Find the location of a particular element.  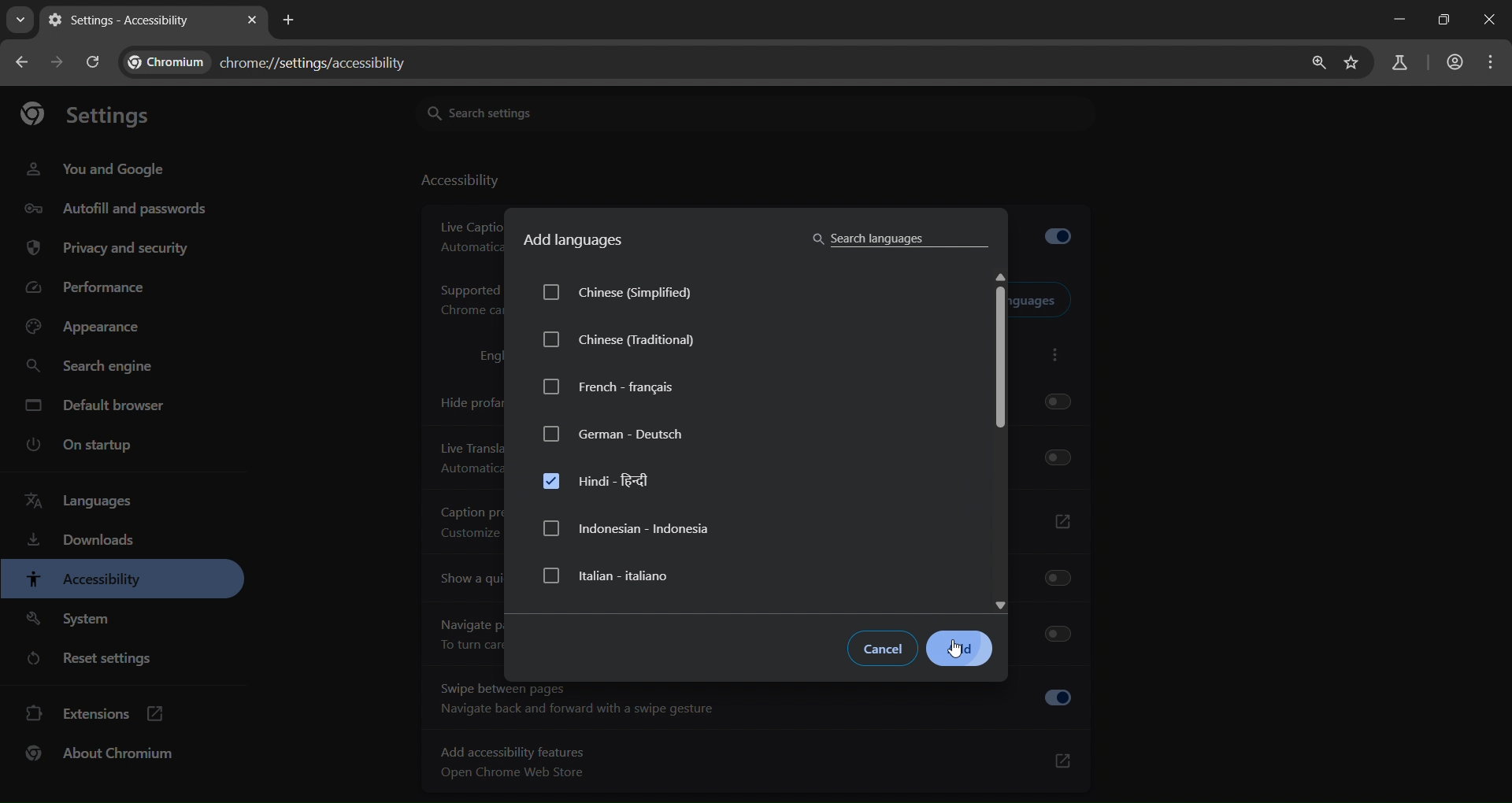

downloads is located at coordinates (83, 542).